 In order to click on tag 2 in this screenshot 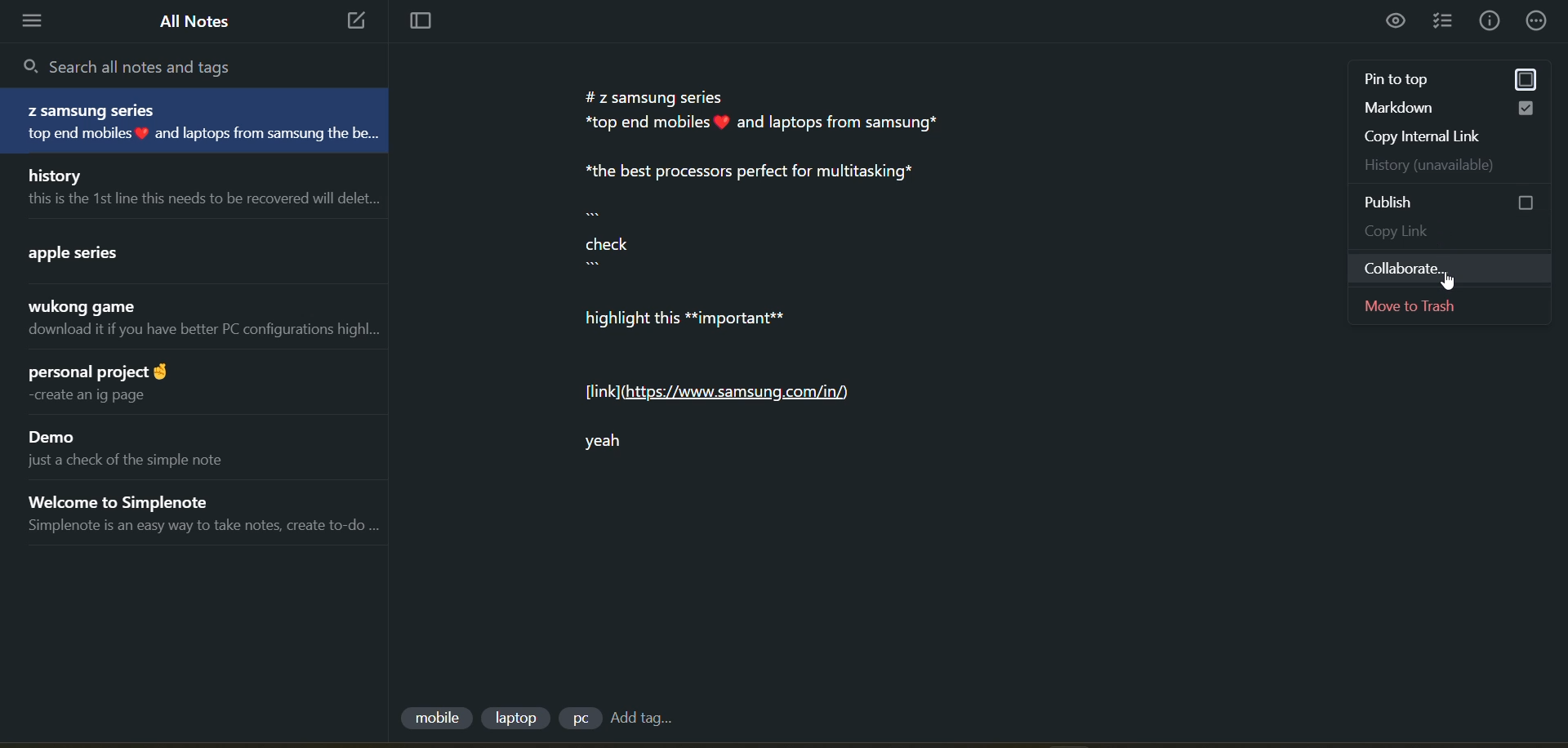, I will do `click(519, 718)`.